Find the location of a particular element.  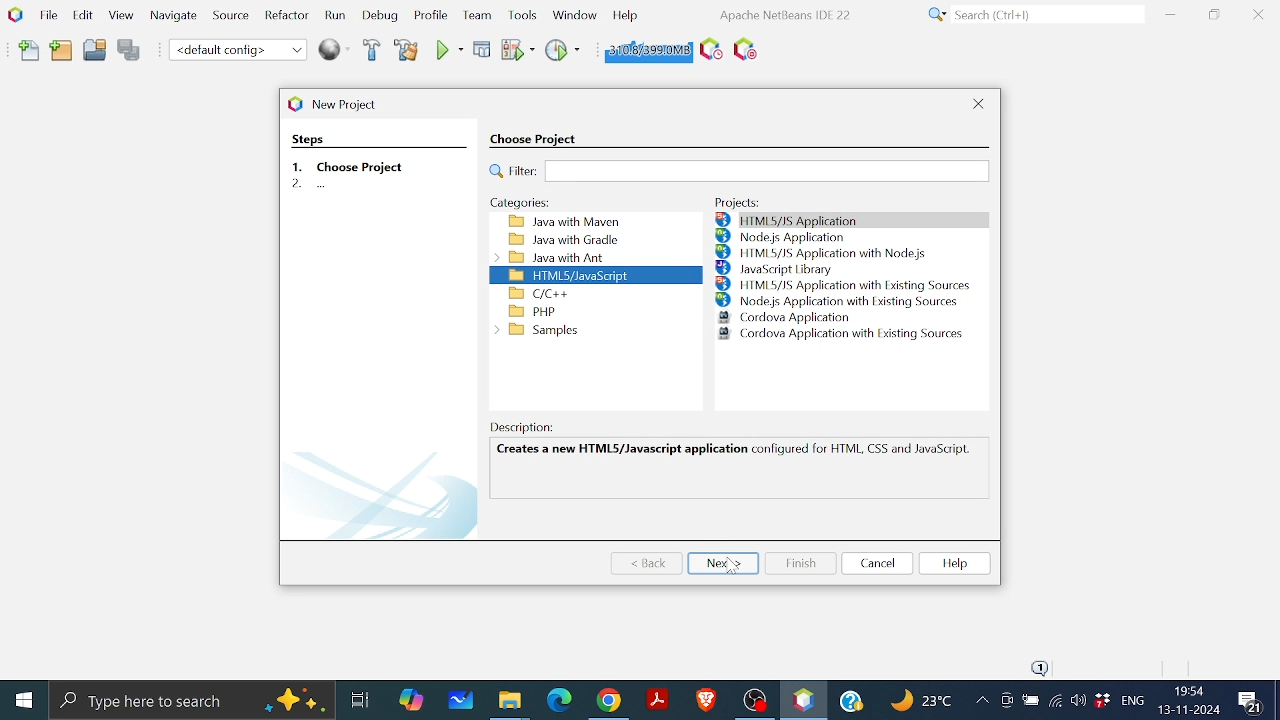

View is located at coordinates (120, 16).